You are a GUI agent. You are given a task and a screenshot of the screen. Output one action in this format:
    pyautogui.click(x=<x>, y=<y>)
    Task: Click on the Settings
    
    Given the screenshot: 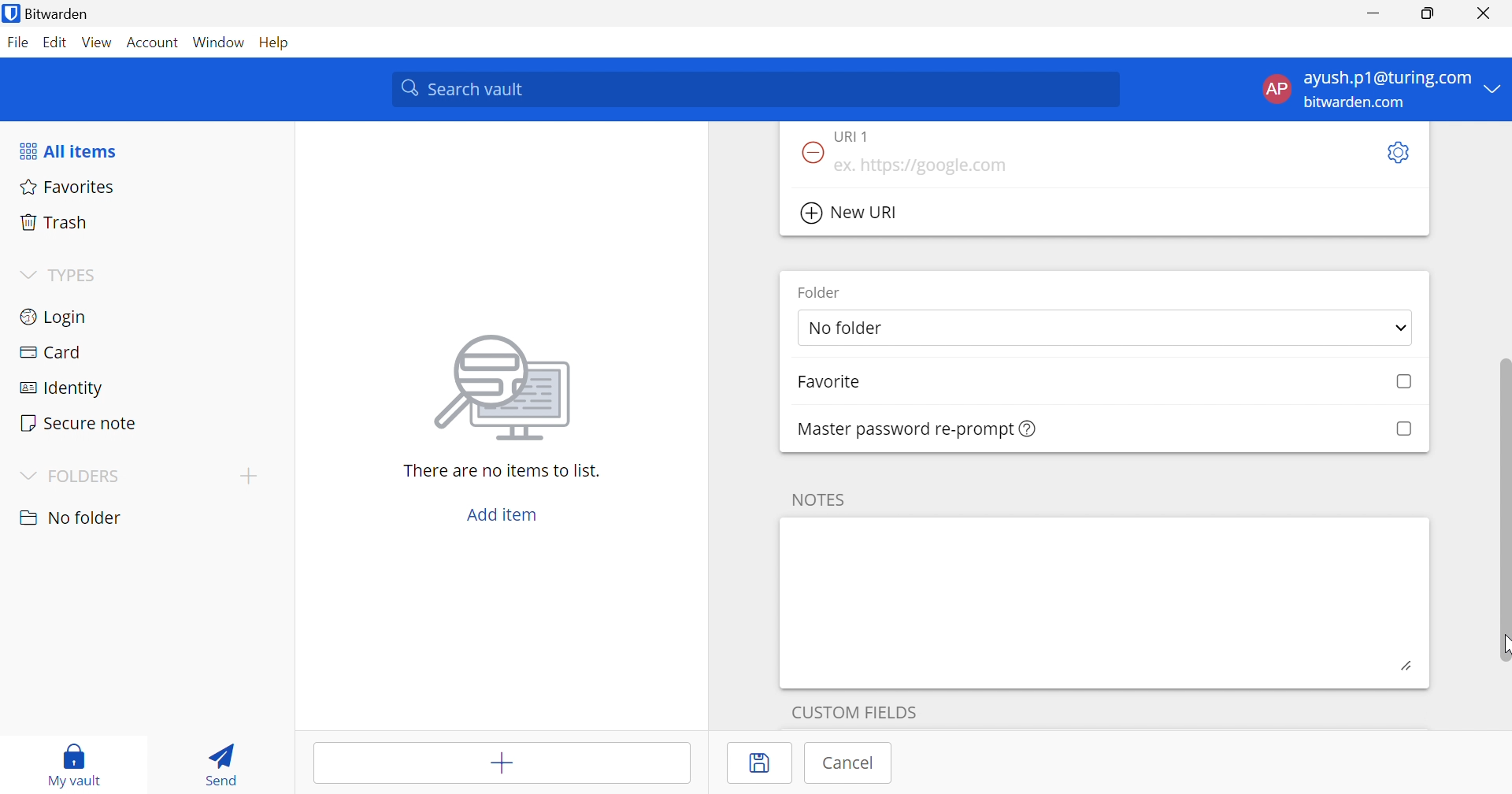 What is the action you would take?
    pyautogui.click(x=1396, y=154)
    